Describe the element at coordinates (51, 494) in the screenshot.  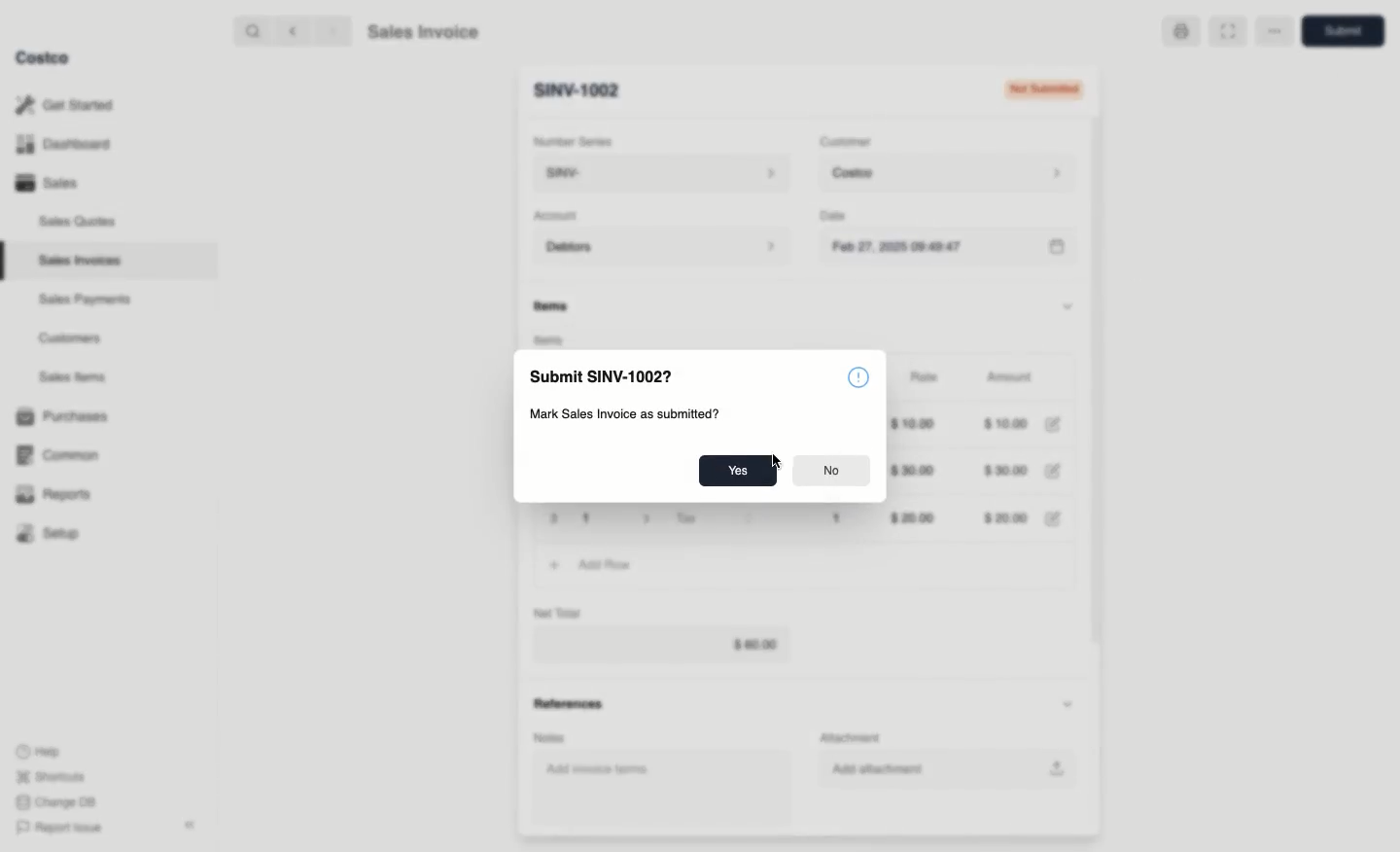
I see `Reports` at that location.